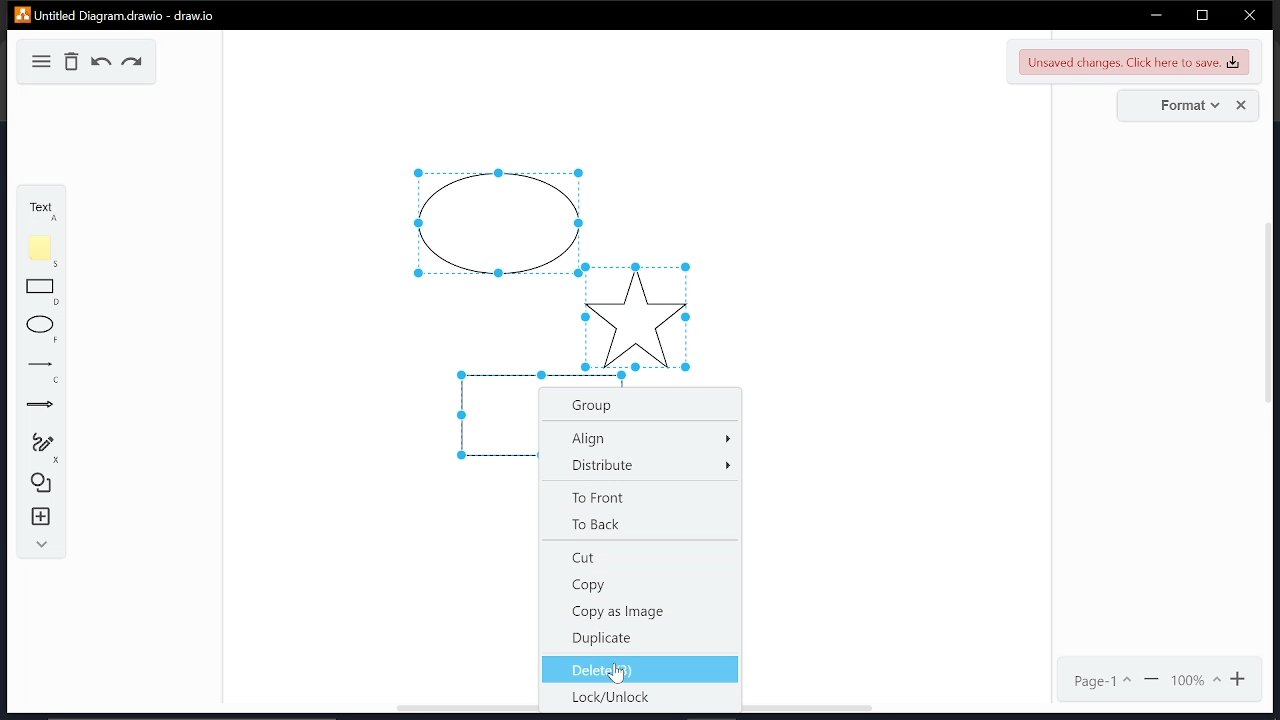 Image resolution: width=1280 pixels, height=720 pixels. I want to click on note, so click(44, 251).